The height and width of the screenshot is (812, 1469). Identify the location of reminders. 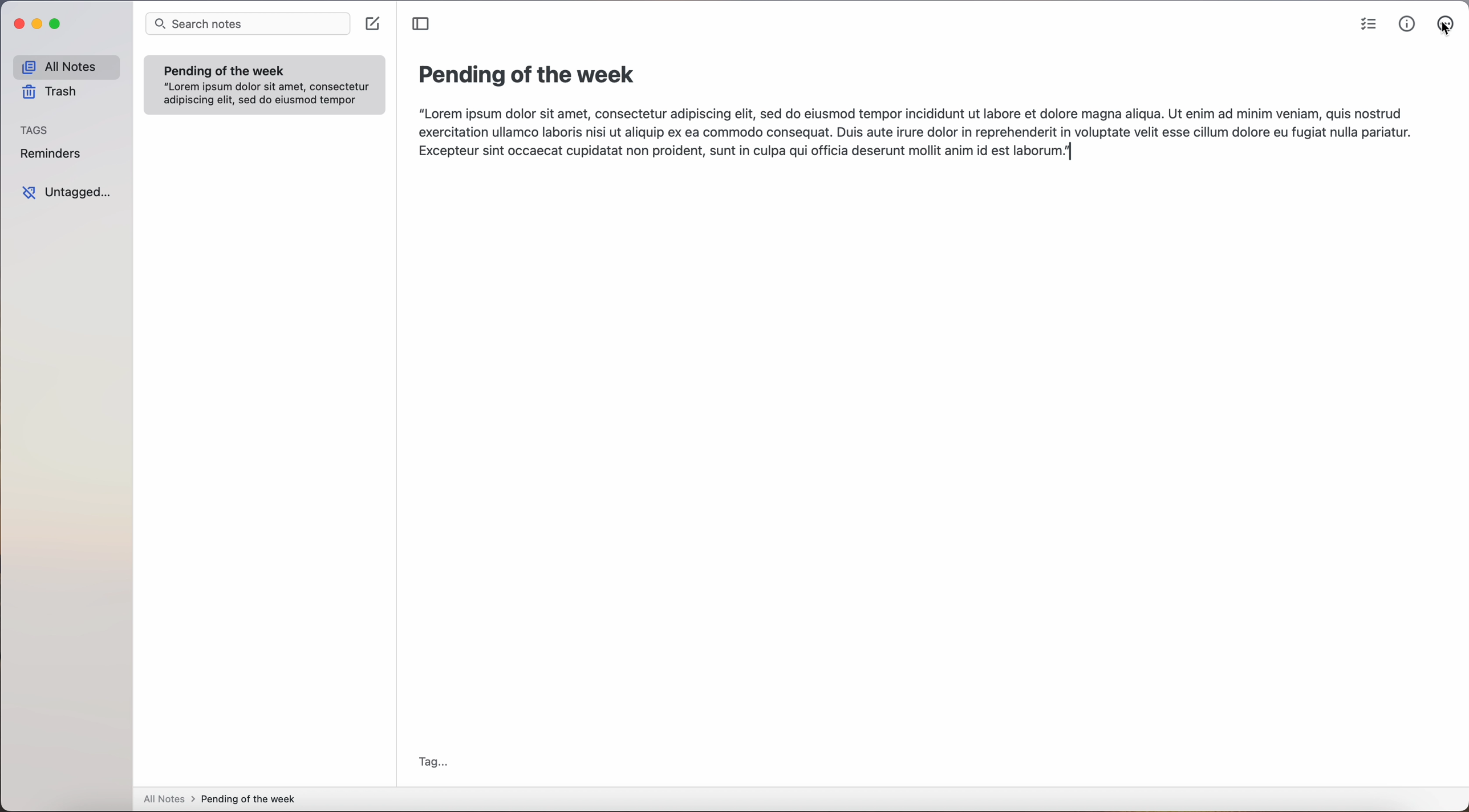
(53, 155).